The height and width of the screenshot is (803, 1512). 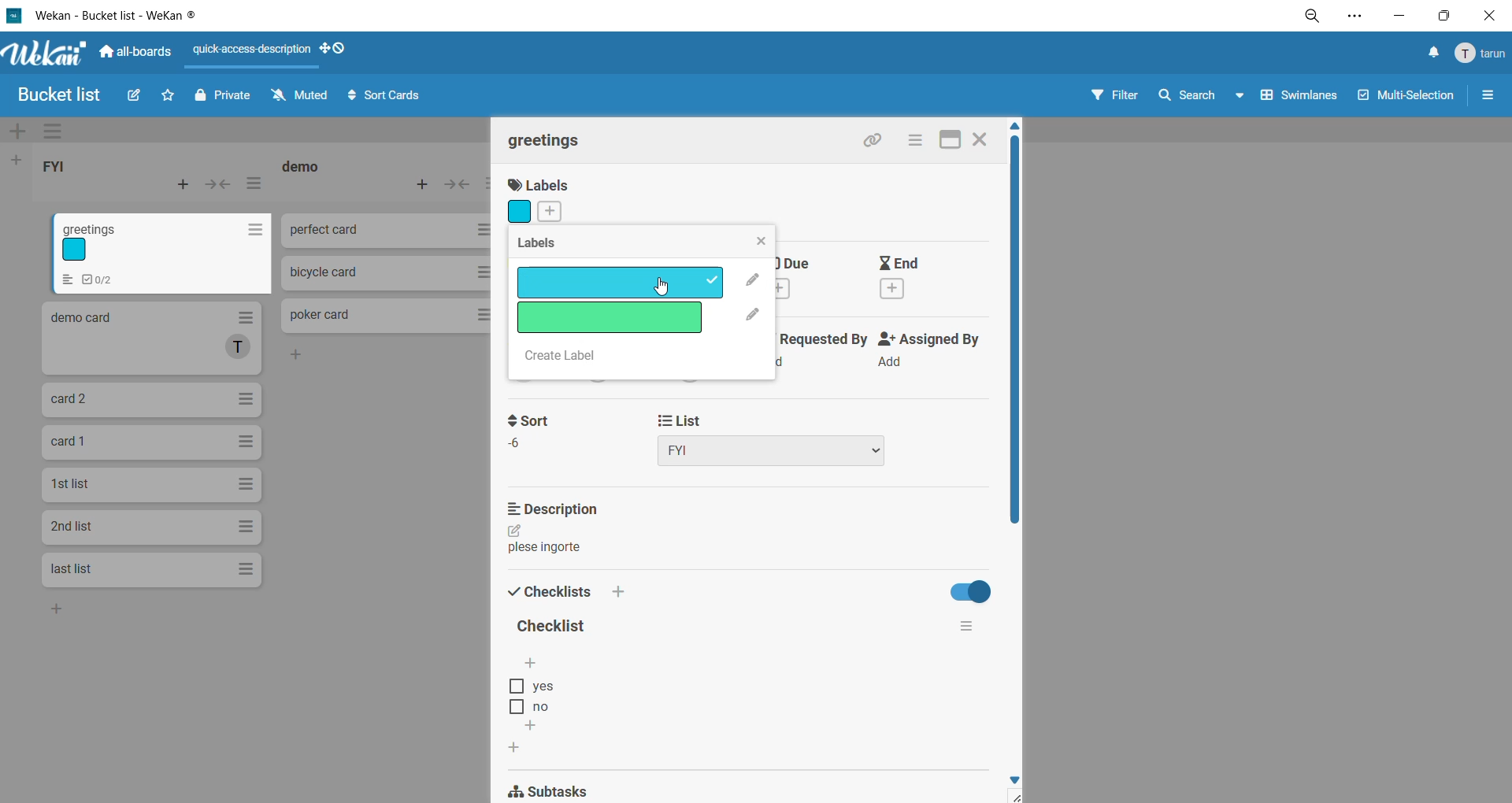 I want to click on card 1, so click(x=155, y=443).